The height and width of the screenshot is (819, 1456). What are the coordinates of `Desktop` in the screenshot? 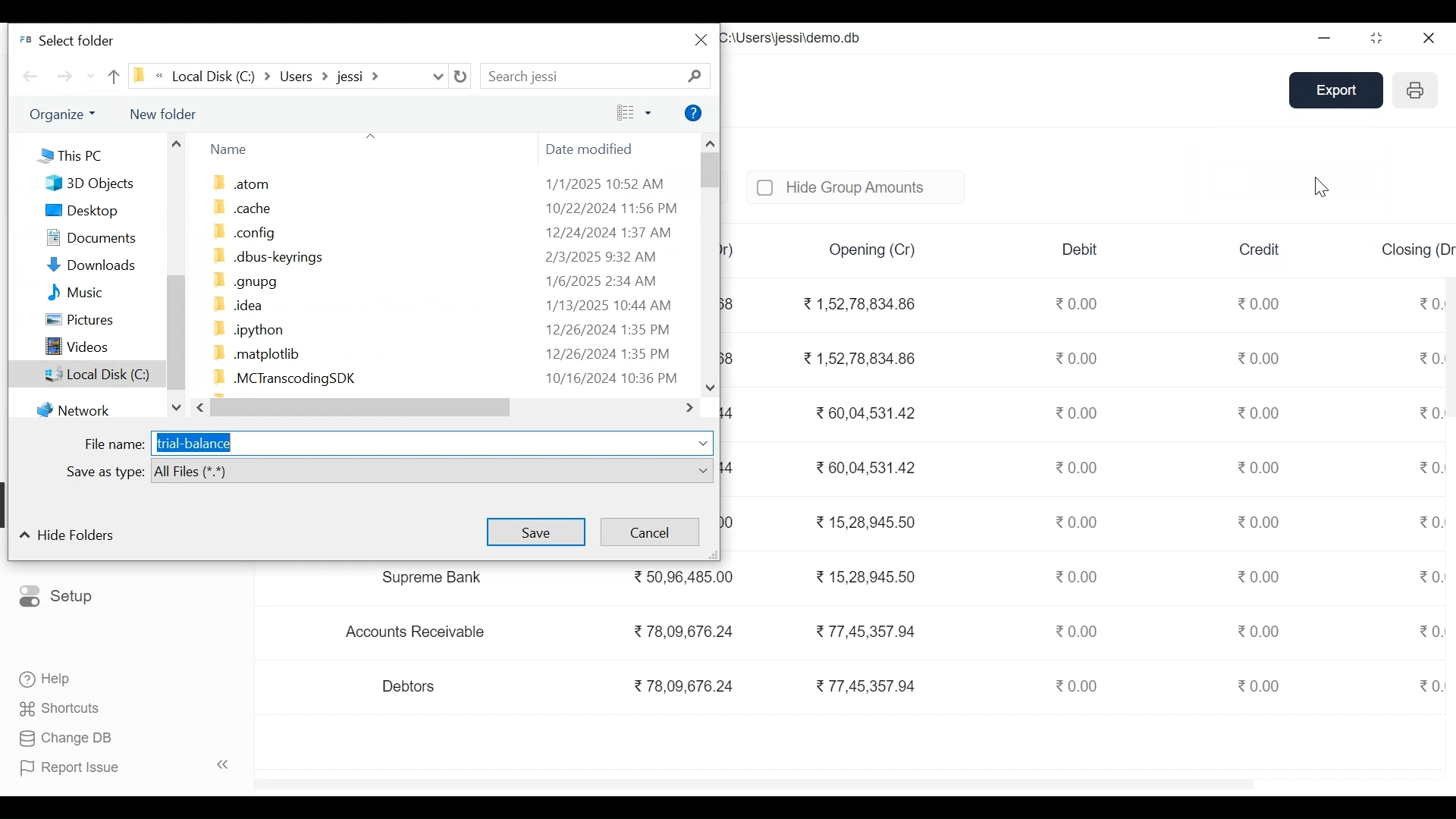 It's located at (80, 210).